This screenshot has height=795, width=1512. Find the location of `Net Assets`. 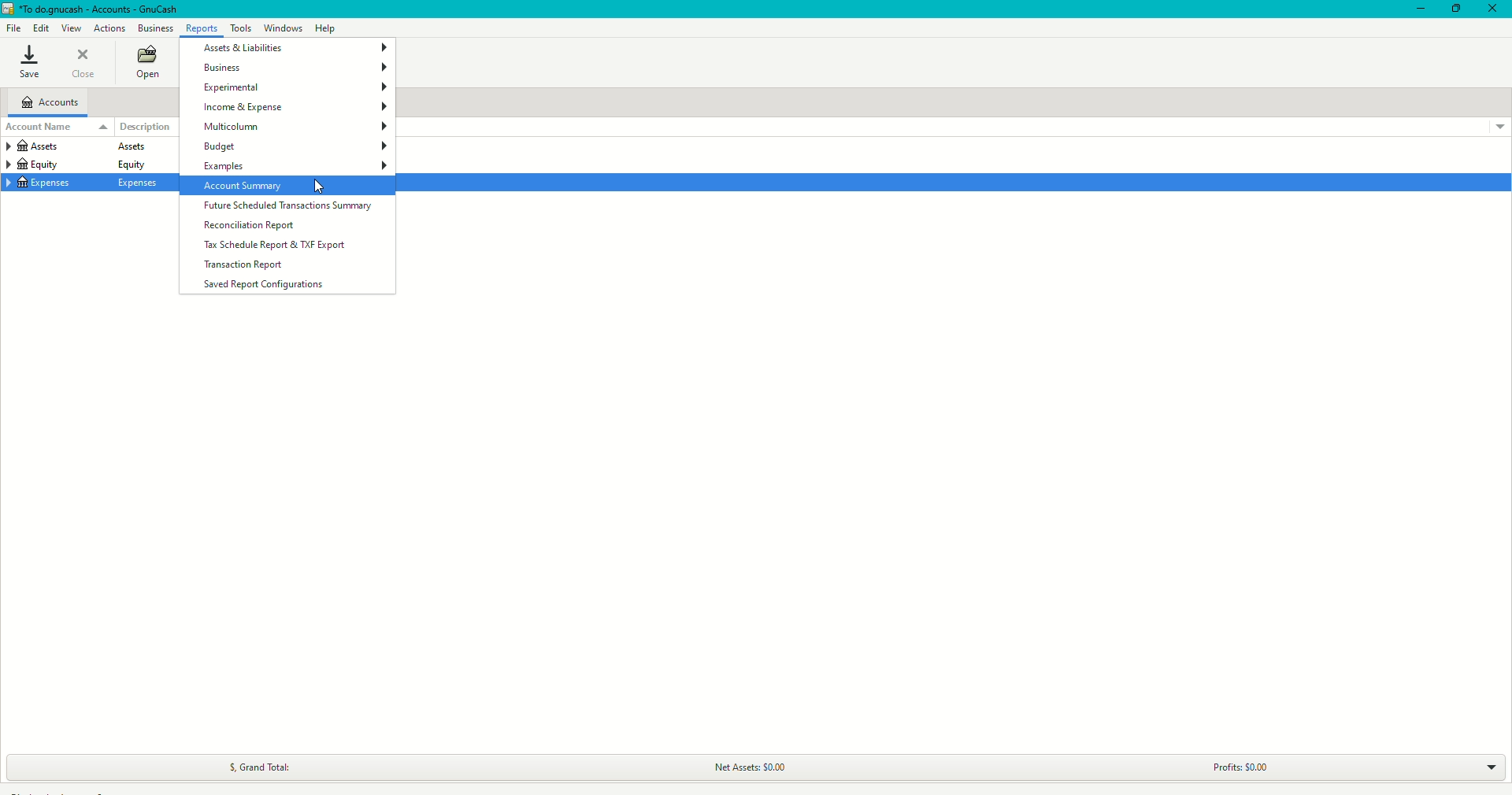

Net Assets is located at coordinates (754, 764).